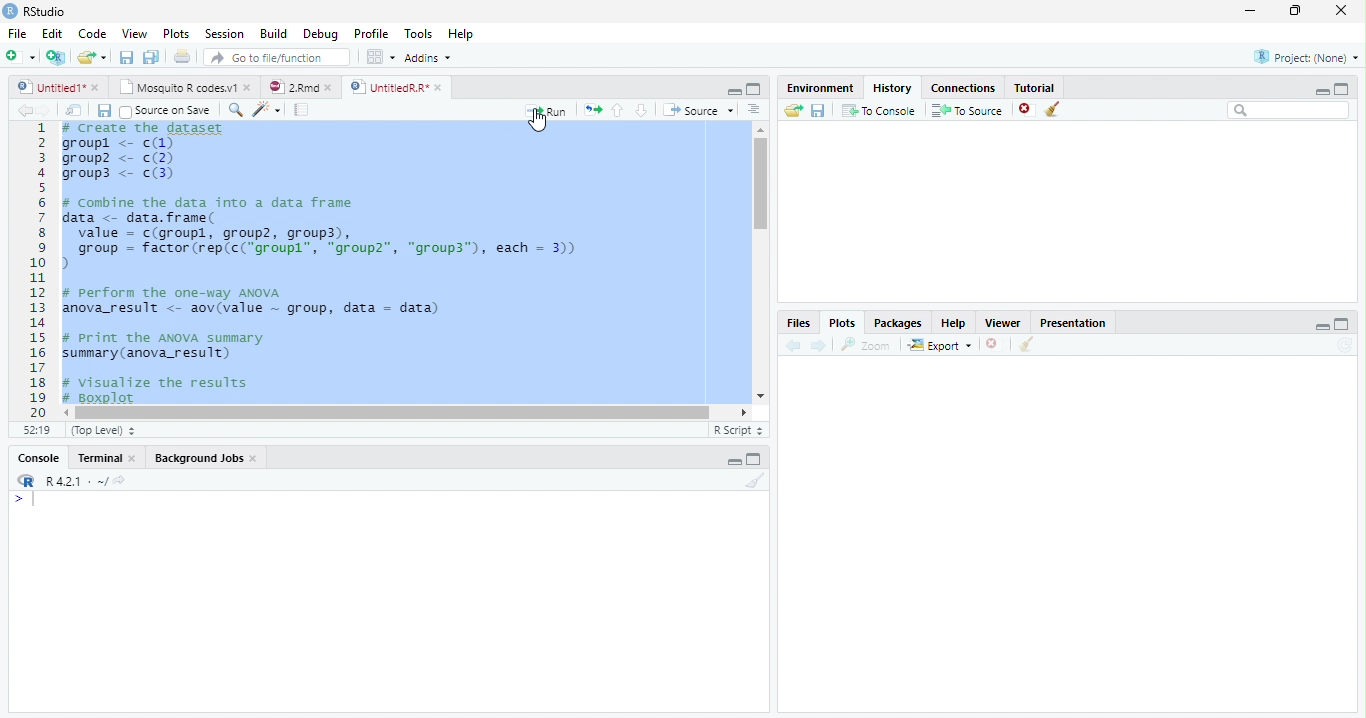 This screenshot has width=1366, height=718. What do you see at coordinates (183, 57) in the screenshot?
I see `Print  the current file` at bounding box center [183, 57].